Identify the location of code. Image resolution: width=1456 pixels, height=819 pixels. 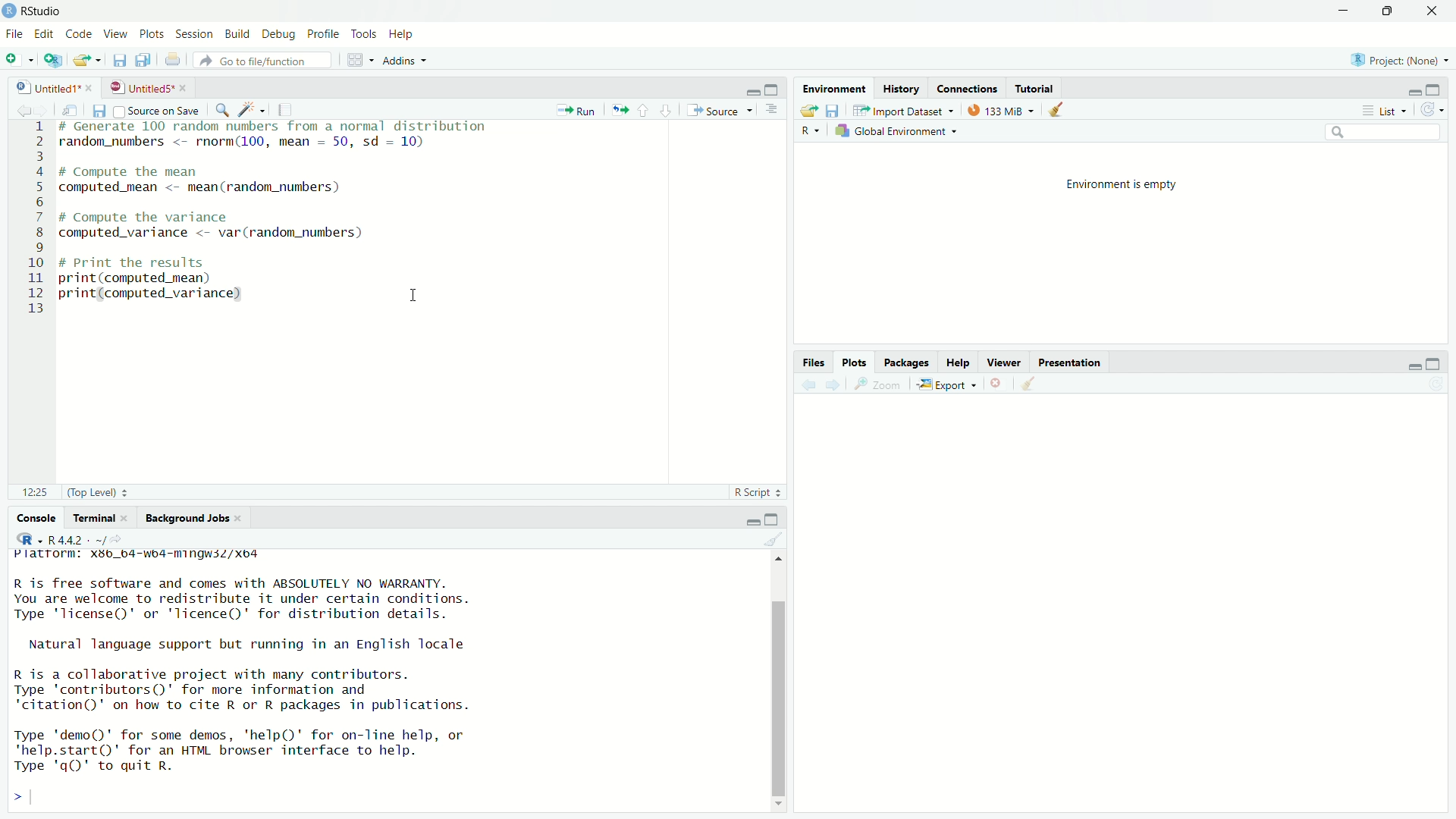
(79, 34).